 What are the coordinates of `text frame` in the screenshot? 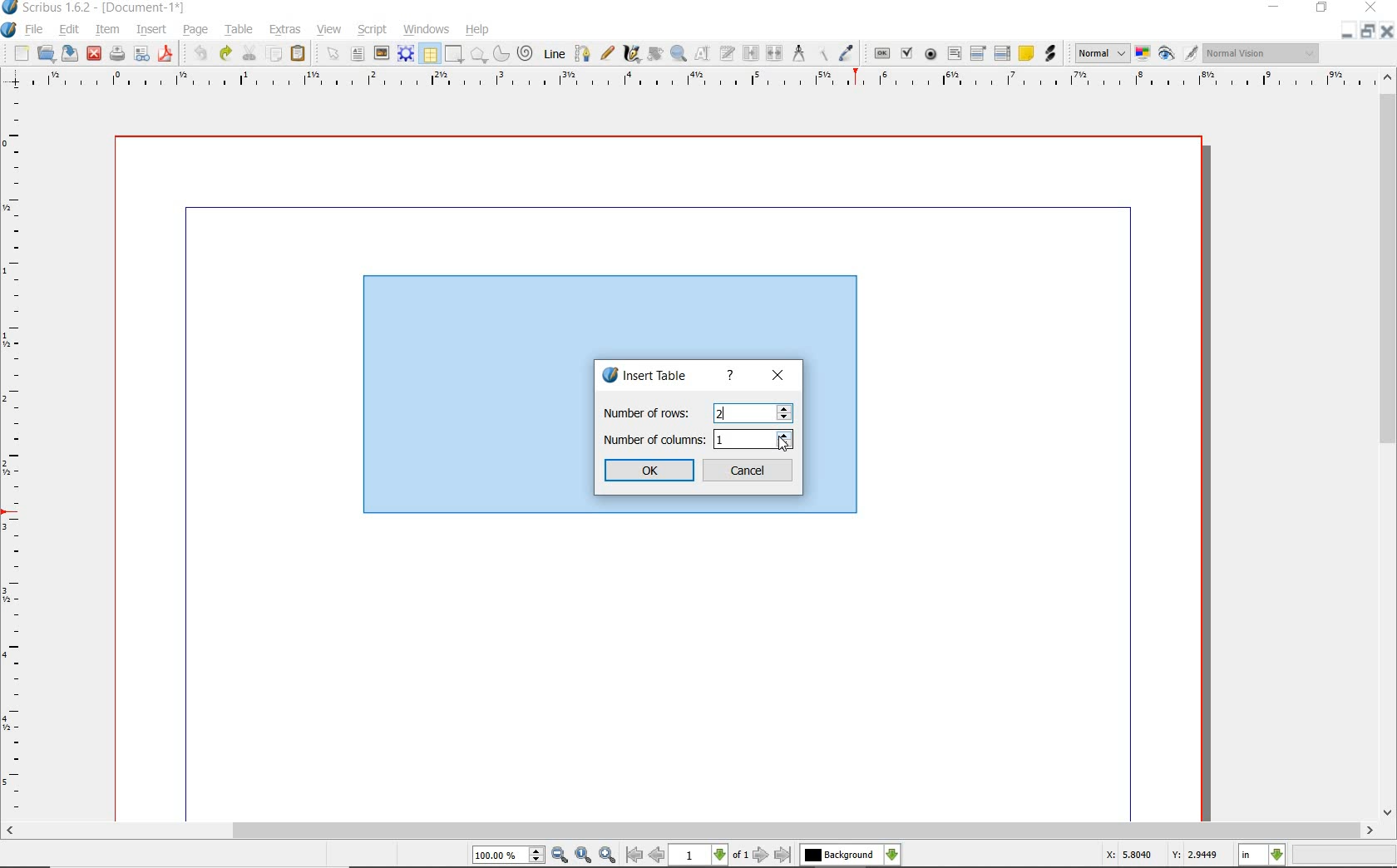 It's located at (358, 56).